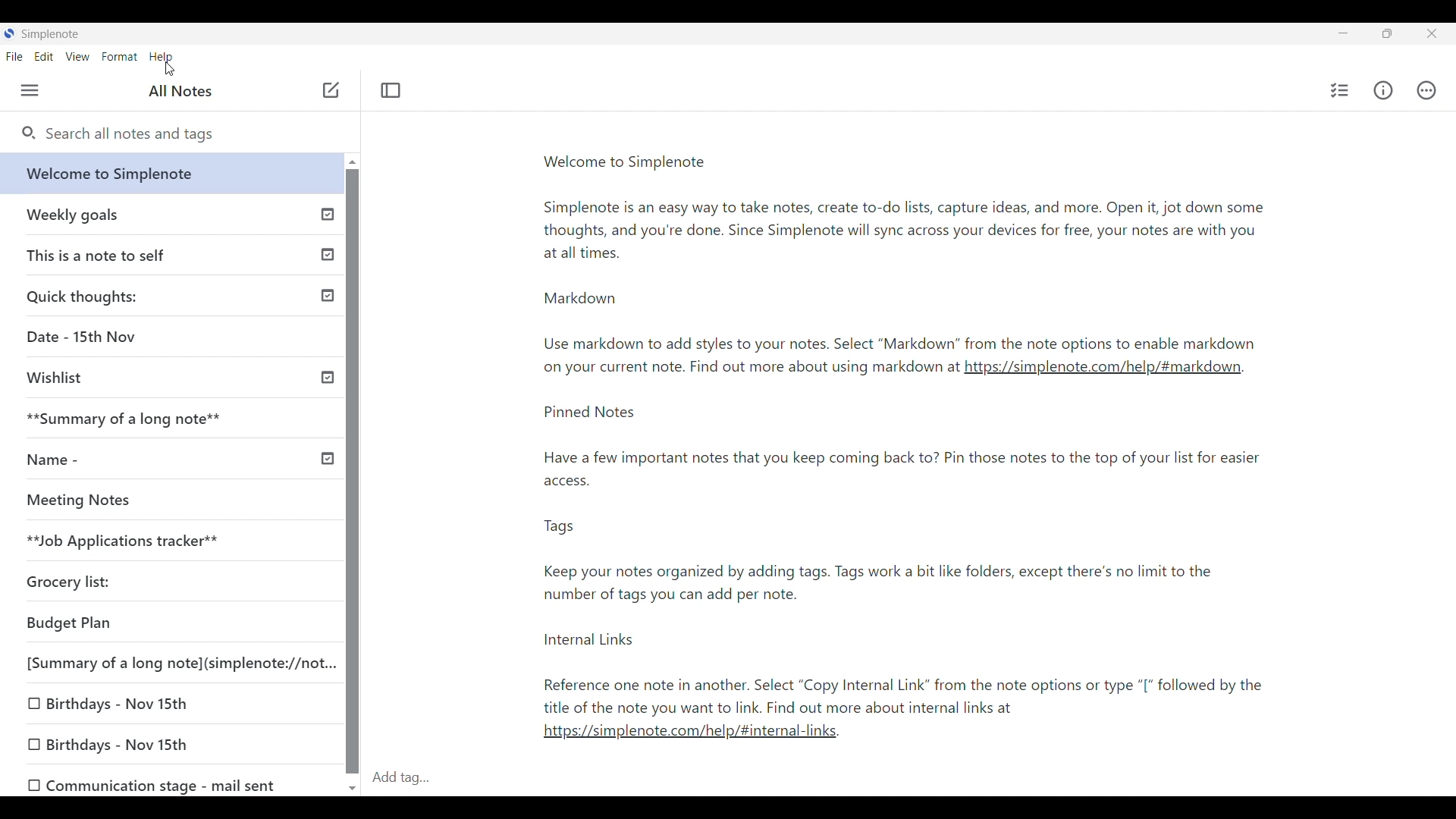  Describe the element at coordinates (137, 219) in the screenshot. I see `Weekly goals` at that location.